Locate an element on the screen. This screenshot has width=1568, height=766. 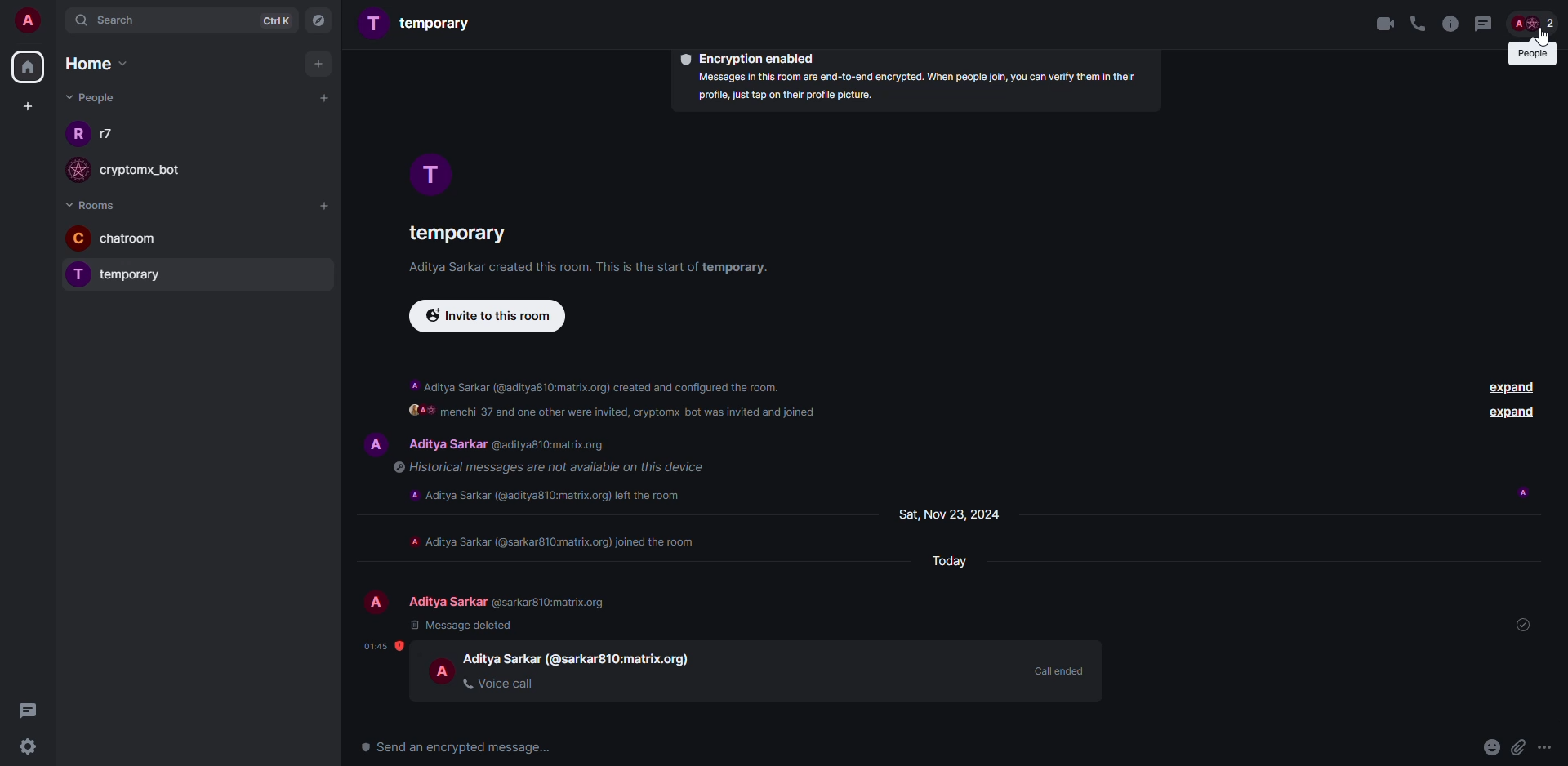
profile is located at coordinates (74, 137).